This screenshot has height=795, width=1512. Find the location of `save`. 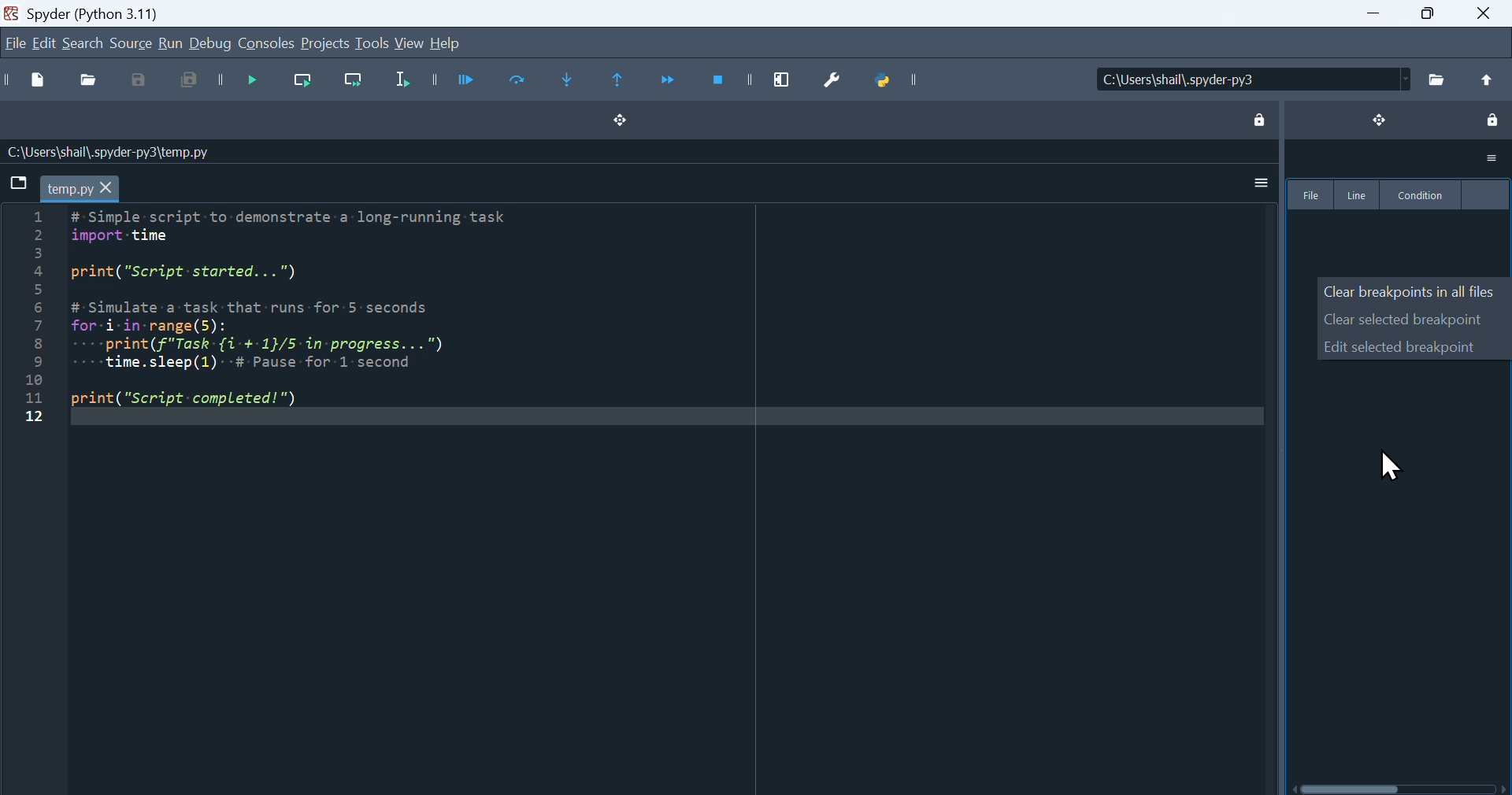

save is located at coordinates (147, 83).